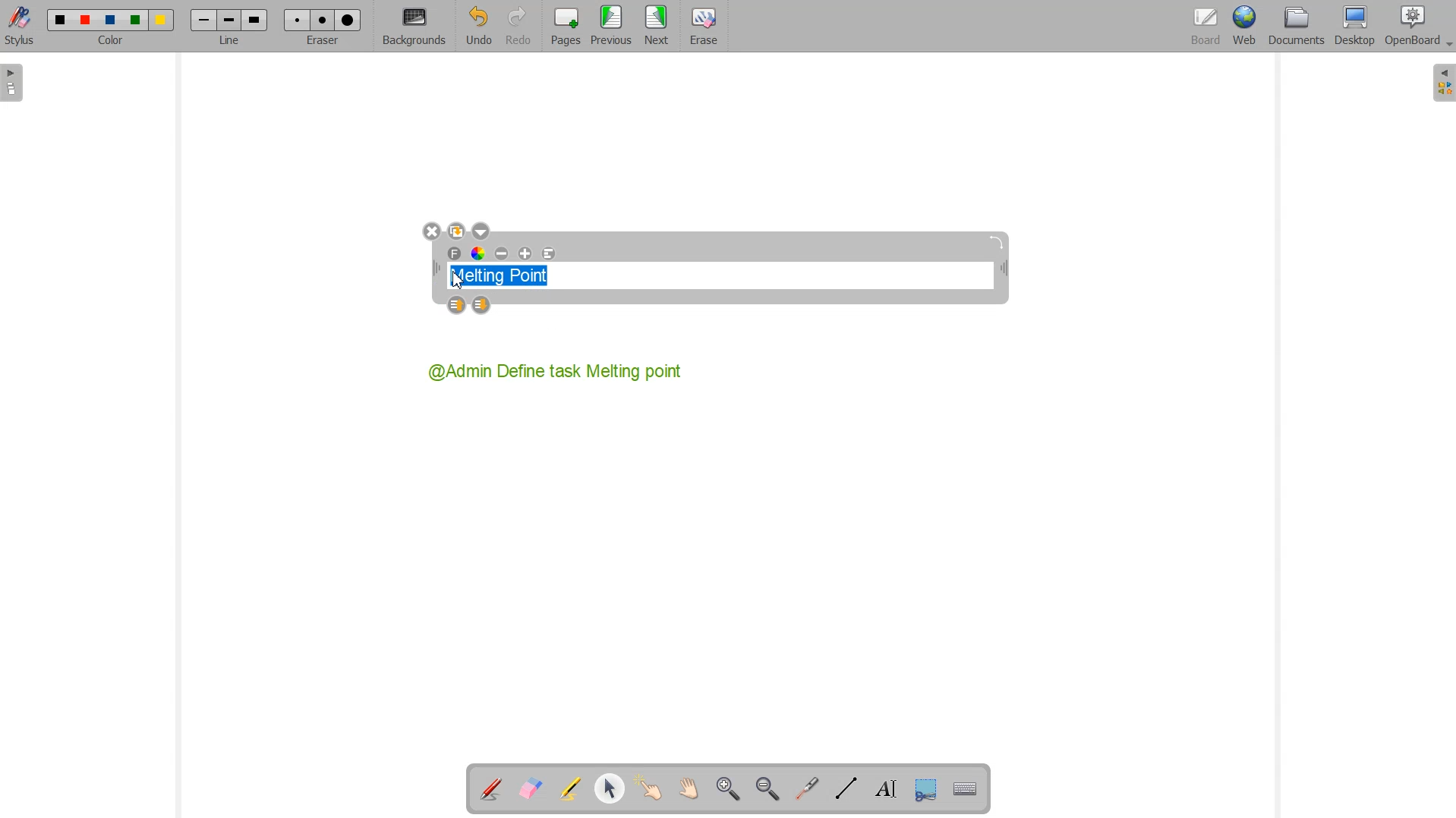 The width and height of the screenshot is (1456, 818). I want to click on Desktop, so click(1356, 27).